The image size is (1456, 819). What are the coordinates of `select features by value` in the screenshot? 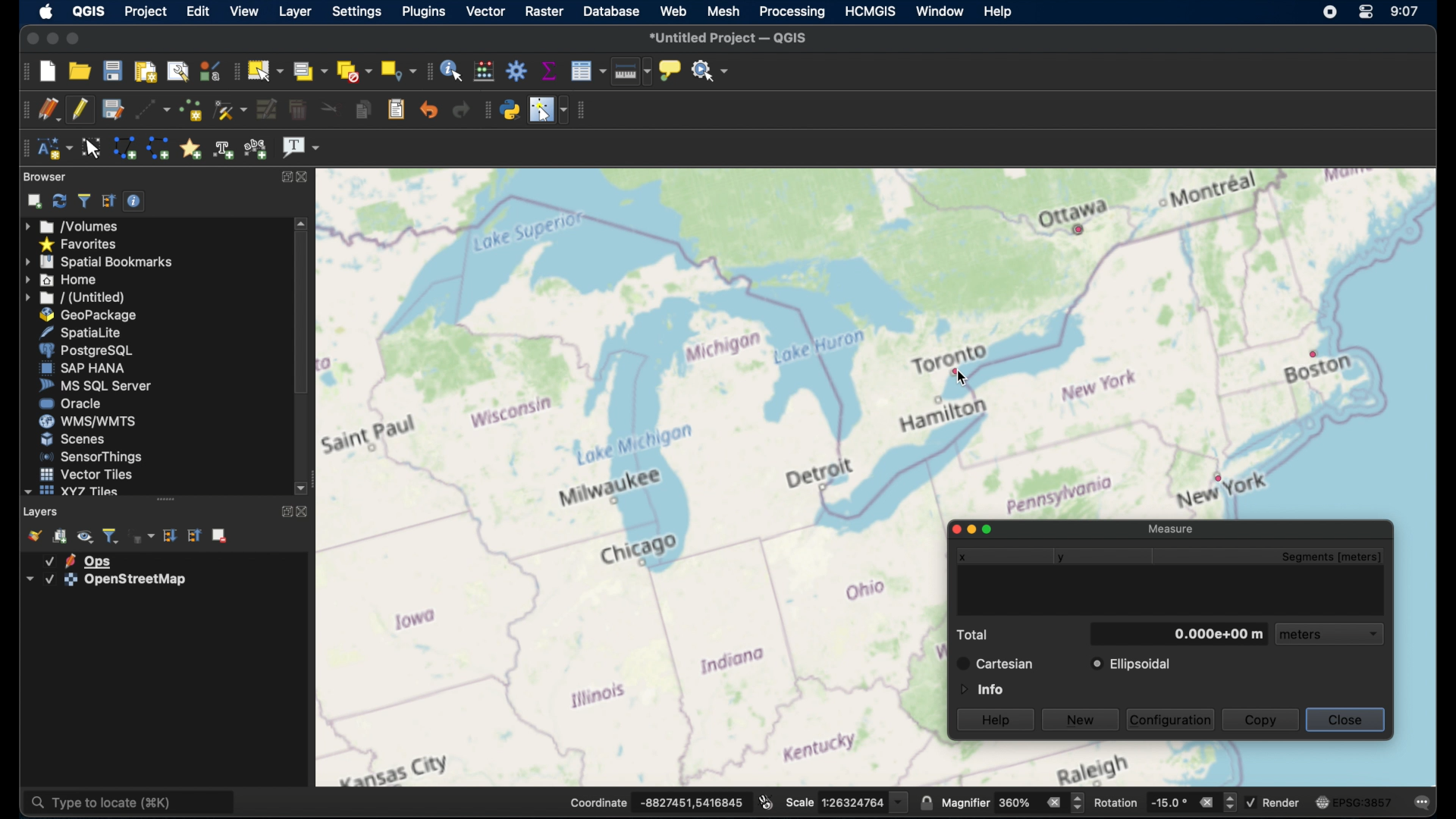 It's located at (310, 71).